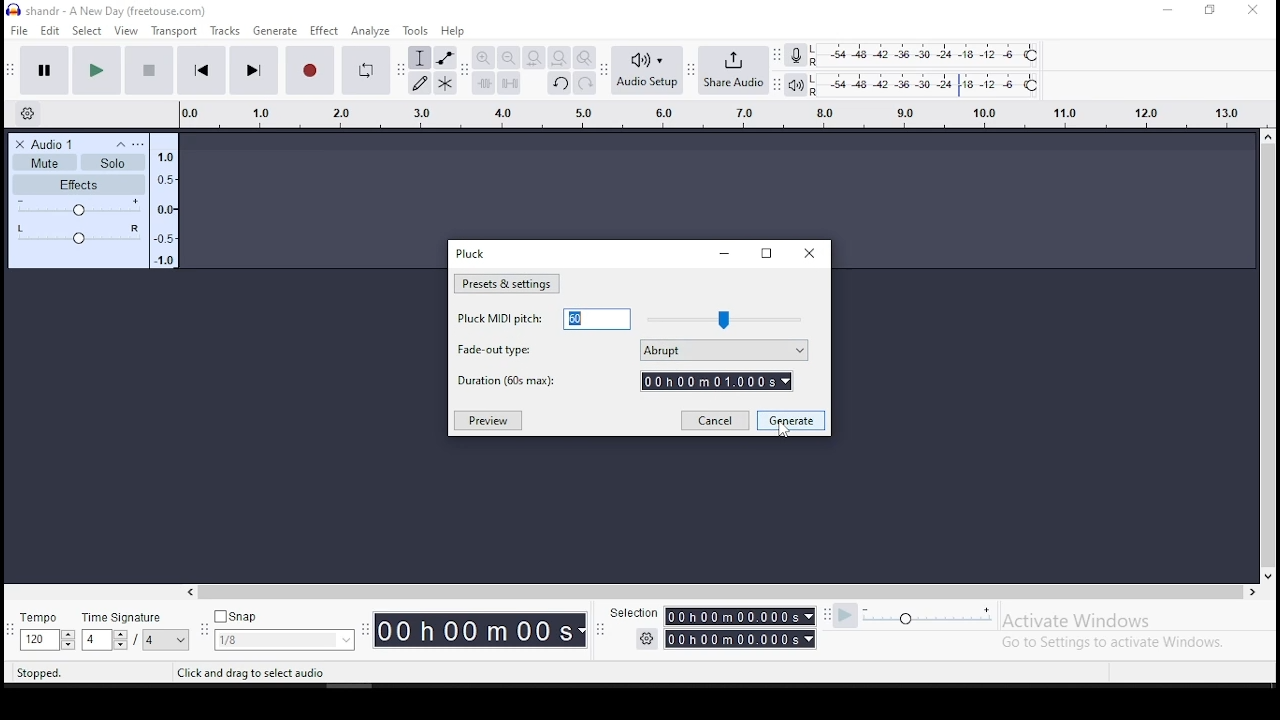  I want to click on fade out type, so click(631, 350).